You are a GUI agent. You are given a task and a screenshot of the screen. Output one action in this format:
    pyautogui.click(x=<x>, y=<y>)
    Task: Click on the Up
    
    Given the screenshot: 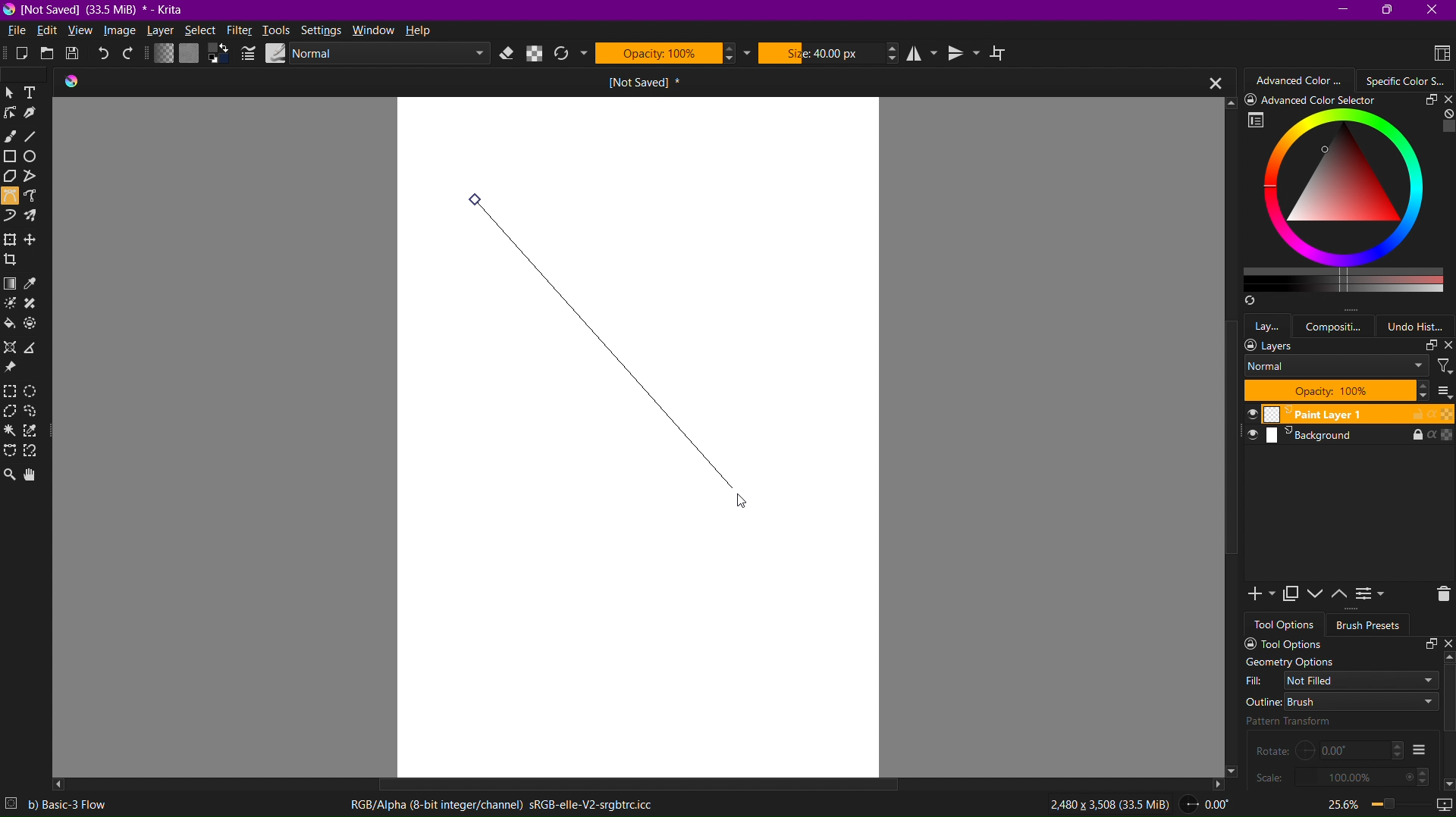 What is the action you would take?
    pyautogui.click(x=1447, y=658)
    